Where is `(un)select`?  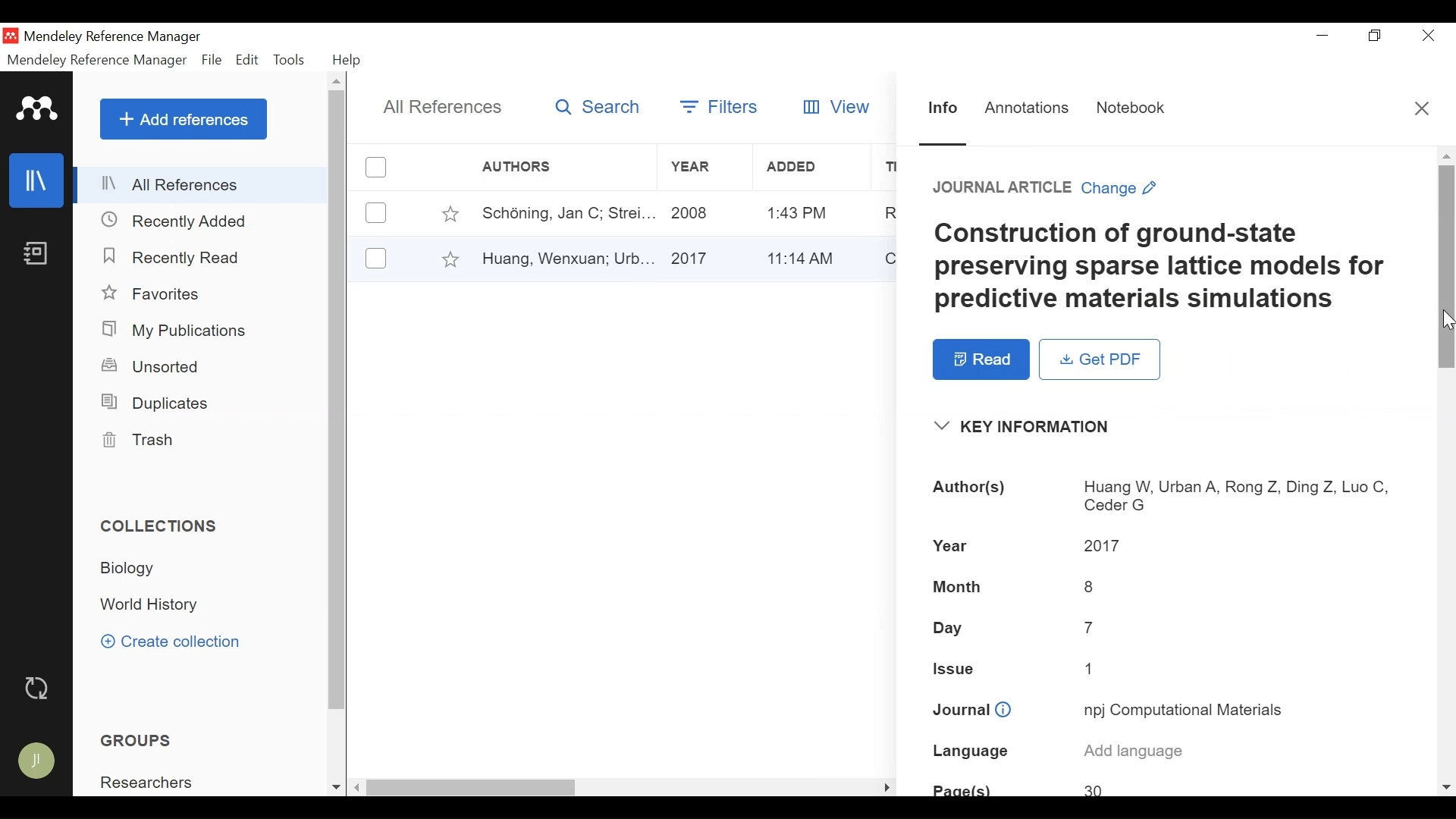 (un)select is located at coordinates (376, 258).